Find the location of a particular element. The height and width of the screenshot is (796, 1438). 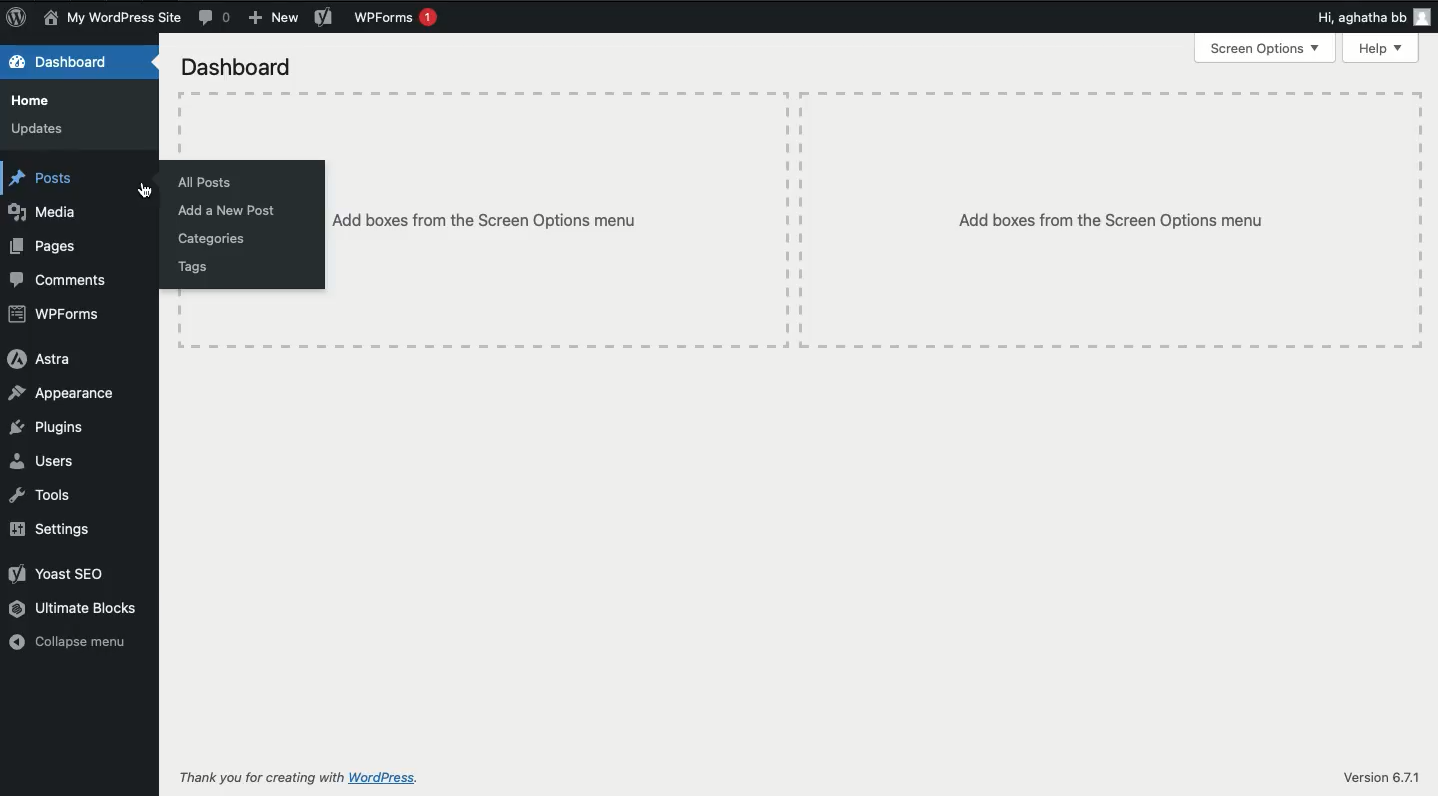

Tools  is located at coordinates (42, 497).